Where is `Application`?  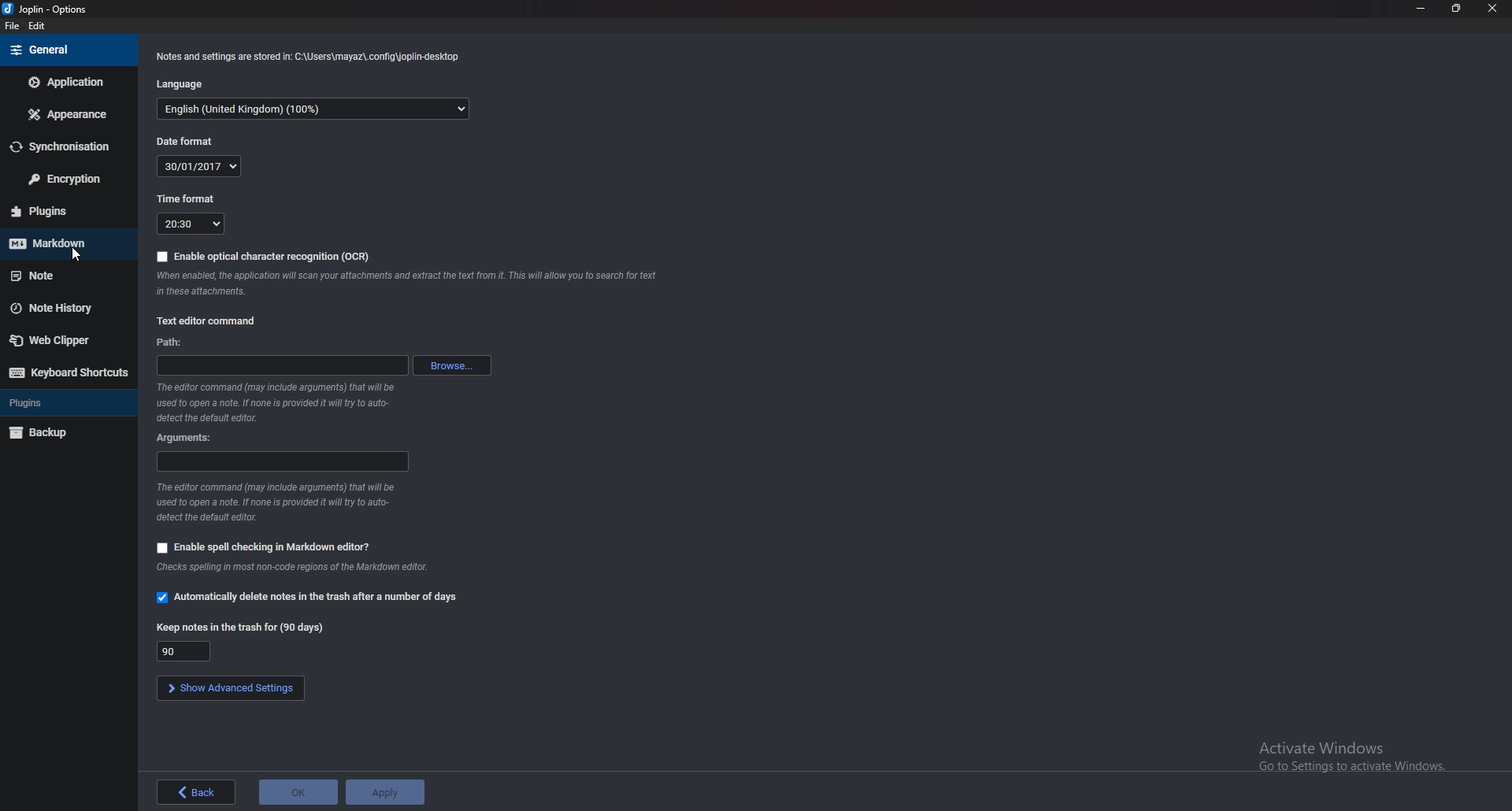 Application is located at coordinates (65, 83).